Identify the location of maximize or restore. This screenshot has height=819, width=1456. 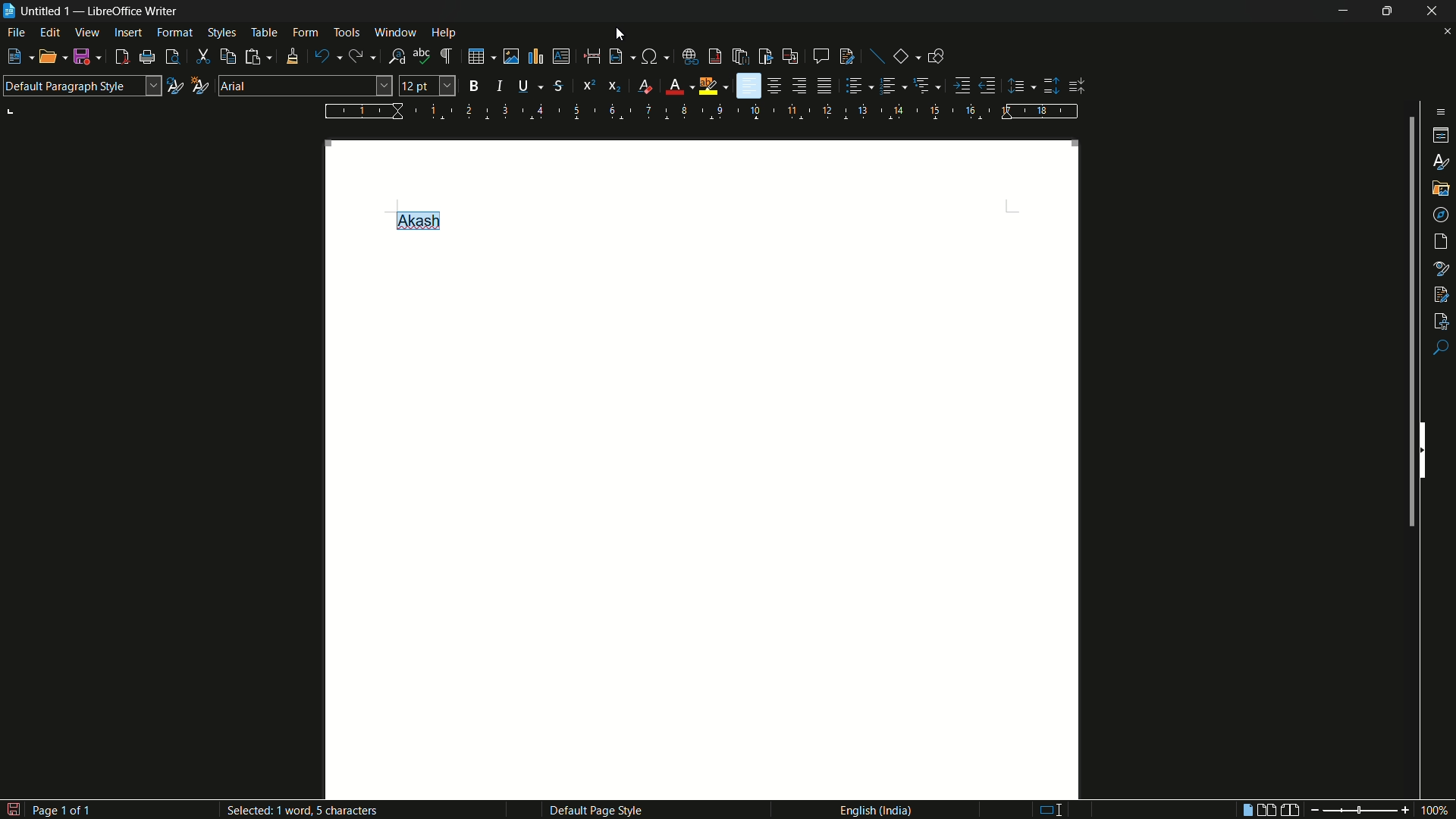
(1387, 11).